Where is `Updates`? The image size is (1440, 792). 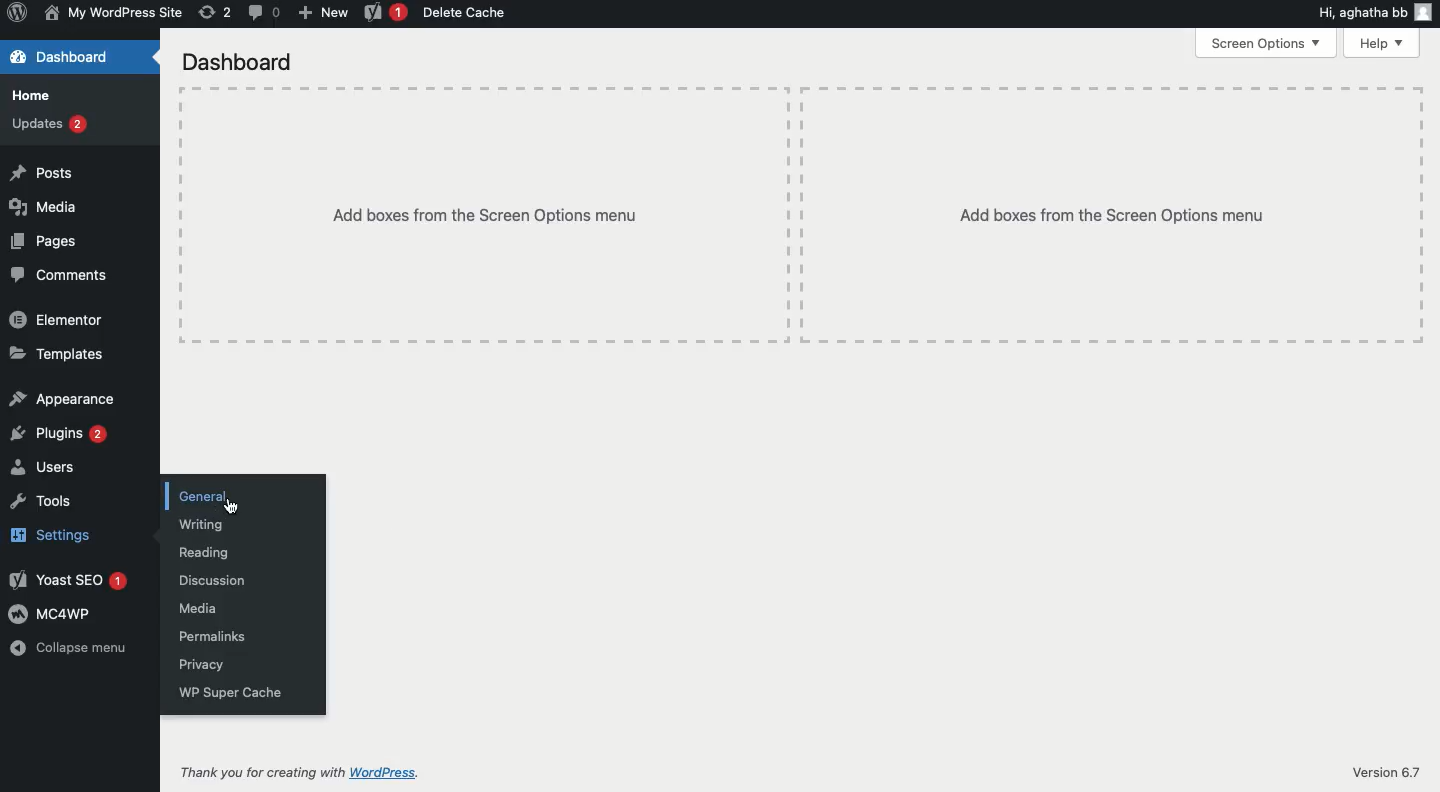
Updates is located at coordinates (45, 122).